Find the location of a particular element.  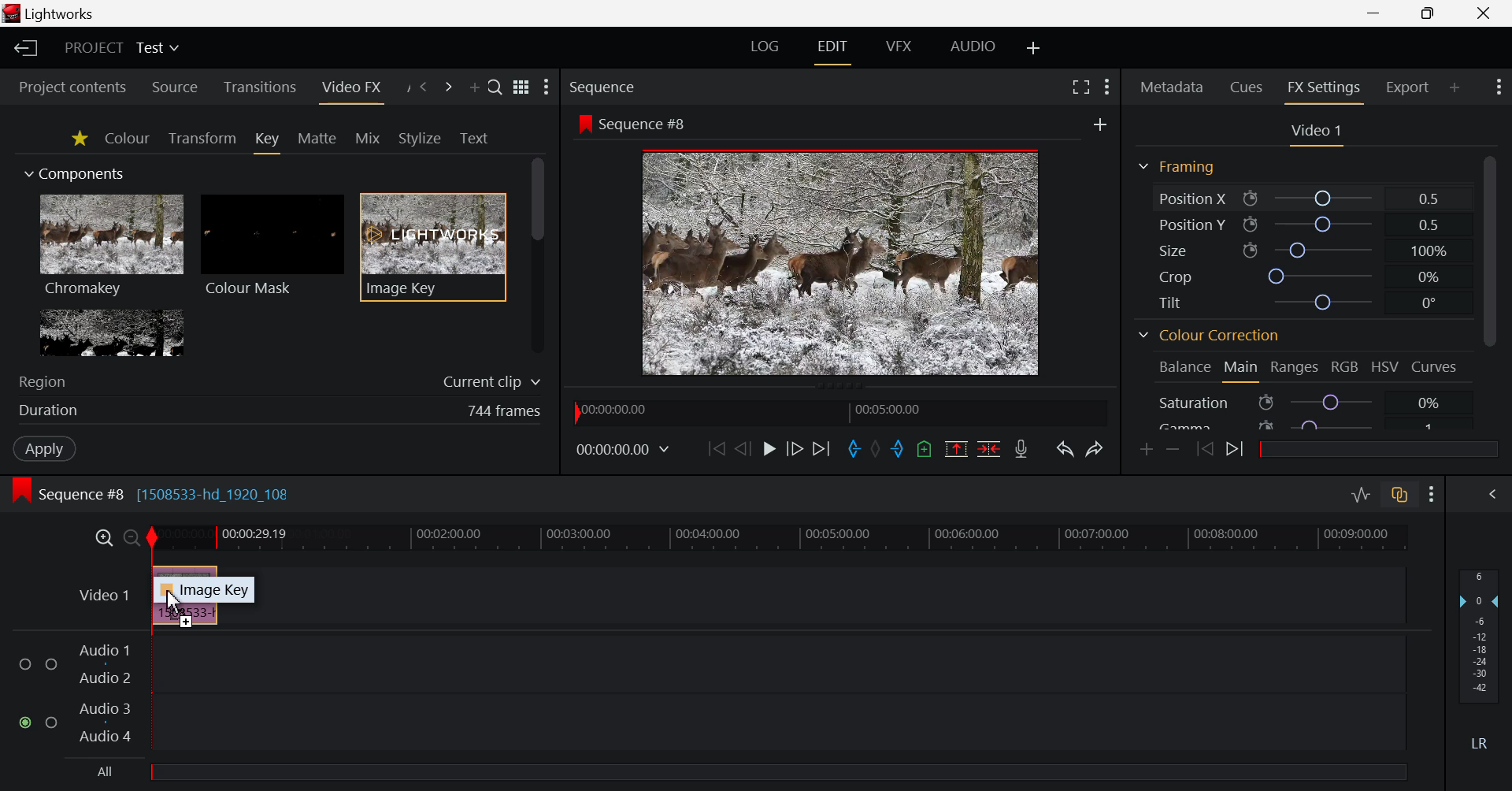

Remove all marks is located at coordinates (879, 450).